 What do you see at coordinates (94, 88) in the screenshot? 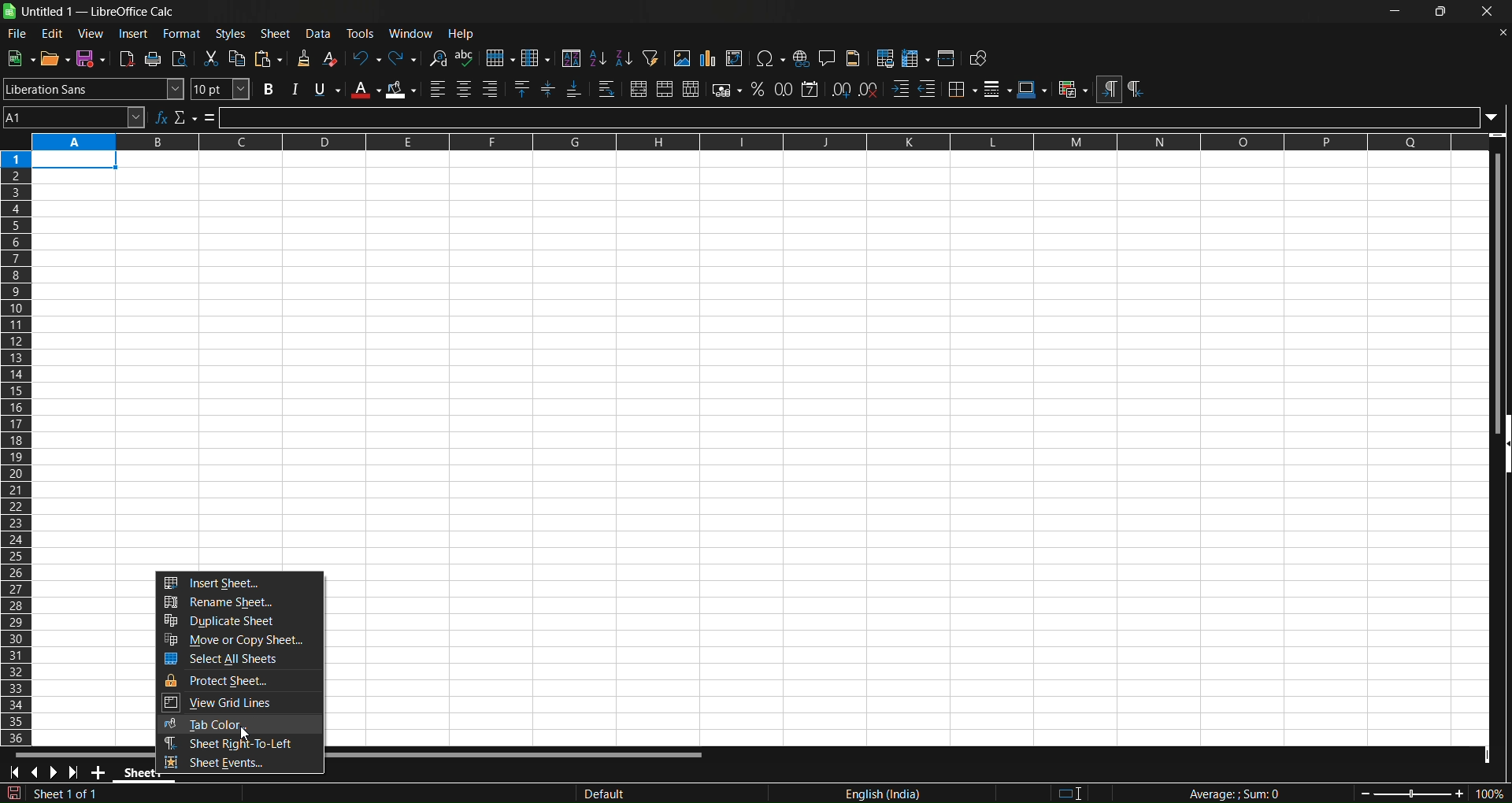
I see `font name` at bounding box center [94, 88].